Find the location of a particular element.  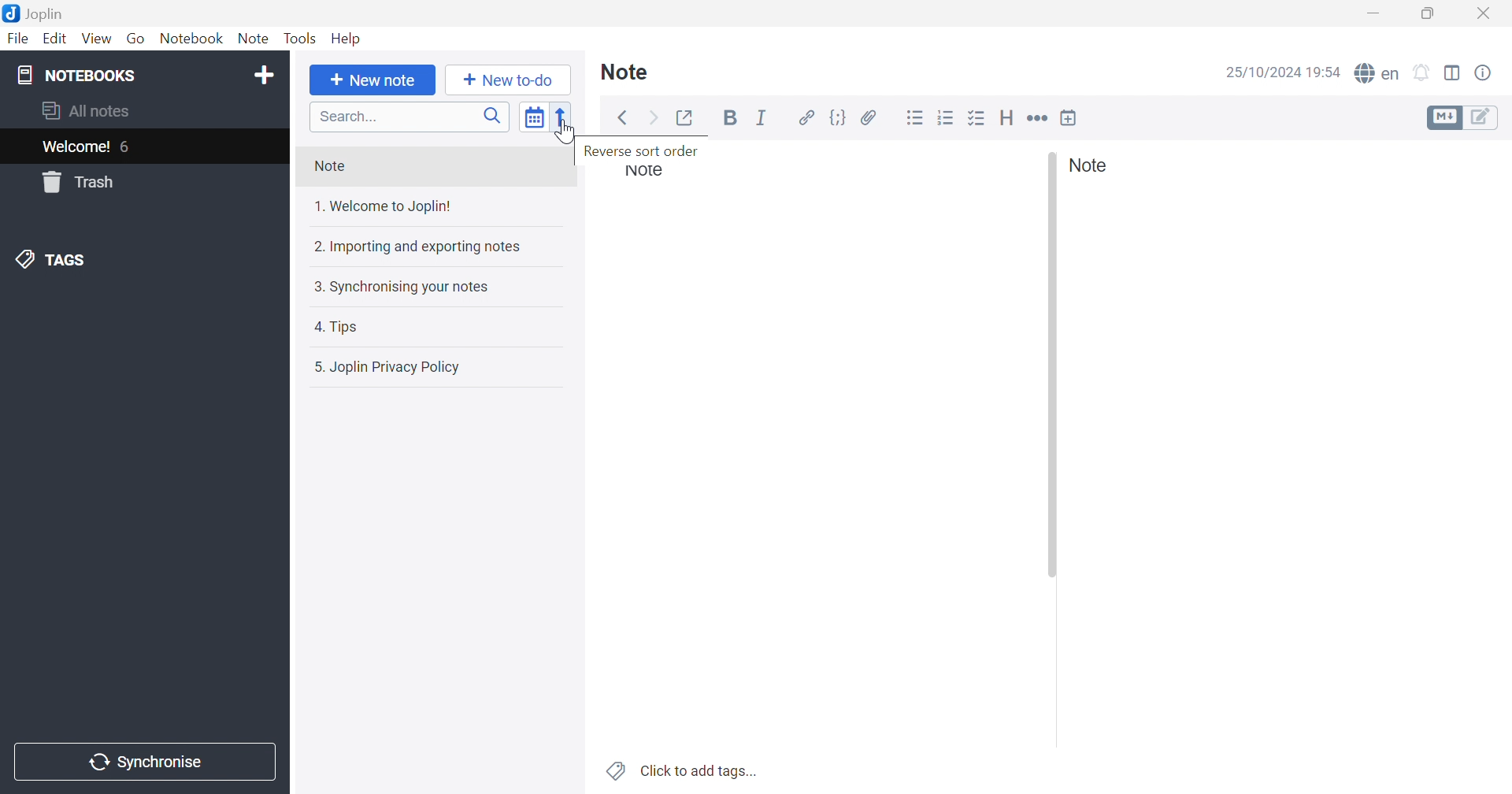

Tags is located at coordinates (615, 770).